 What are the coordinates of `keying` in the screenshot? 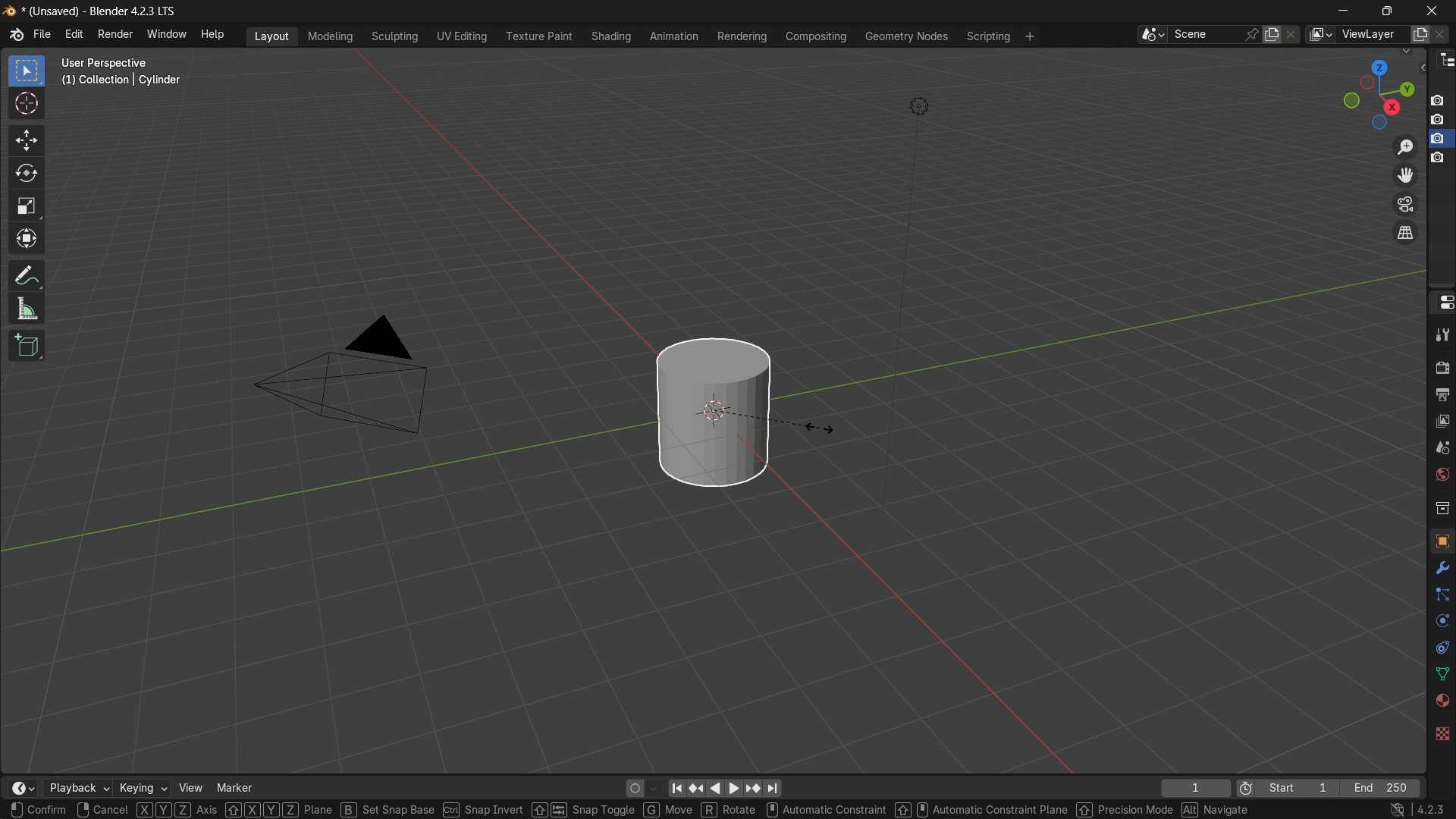 It's located at (143, 788).